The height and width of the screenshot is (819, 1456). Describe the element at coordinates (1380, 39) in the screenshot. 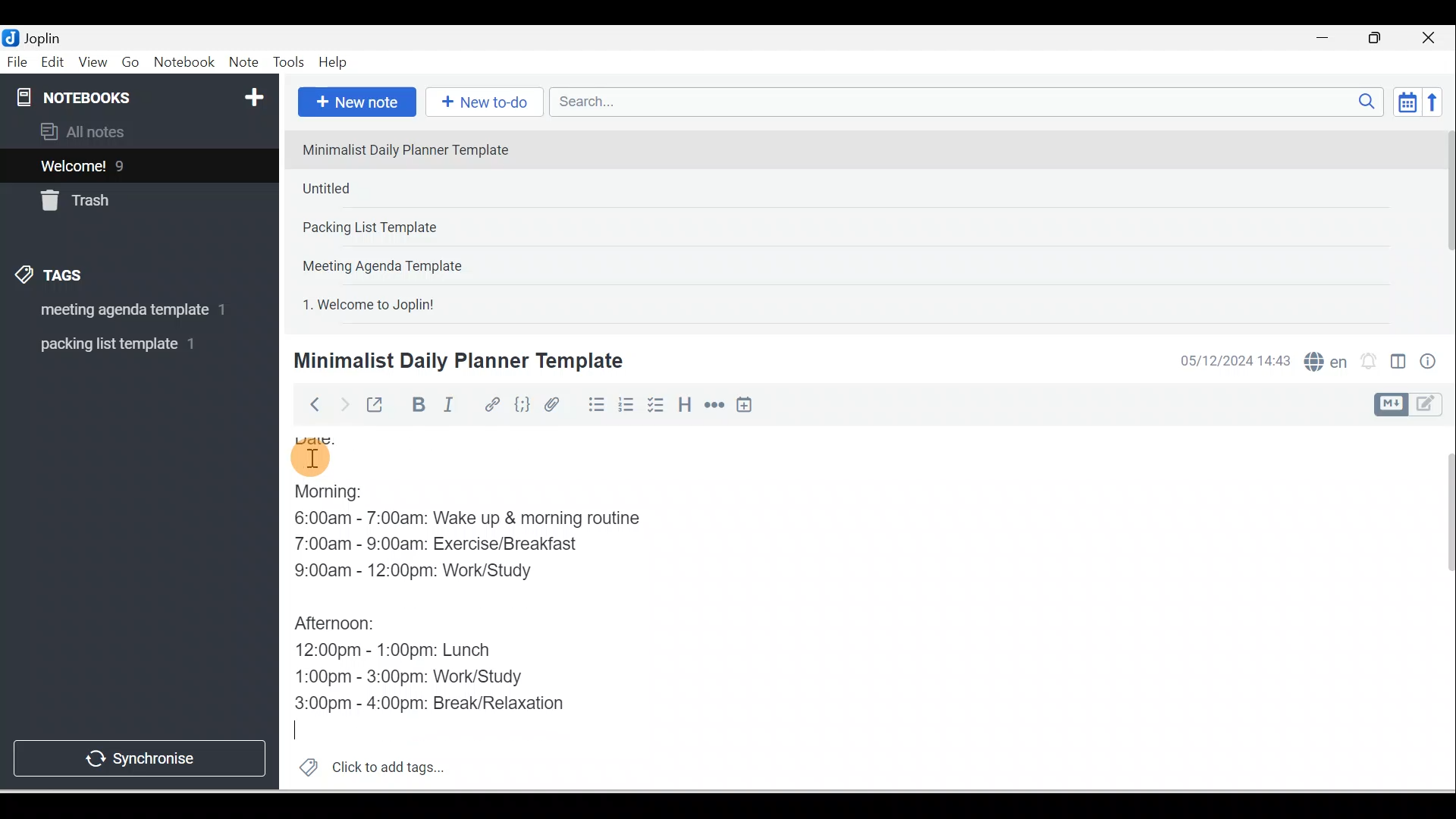

I see `Maximise` at that location.